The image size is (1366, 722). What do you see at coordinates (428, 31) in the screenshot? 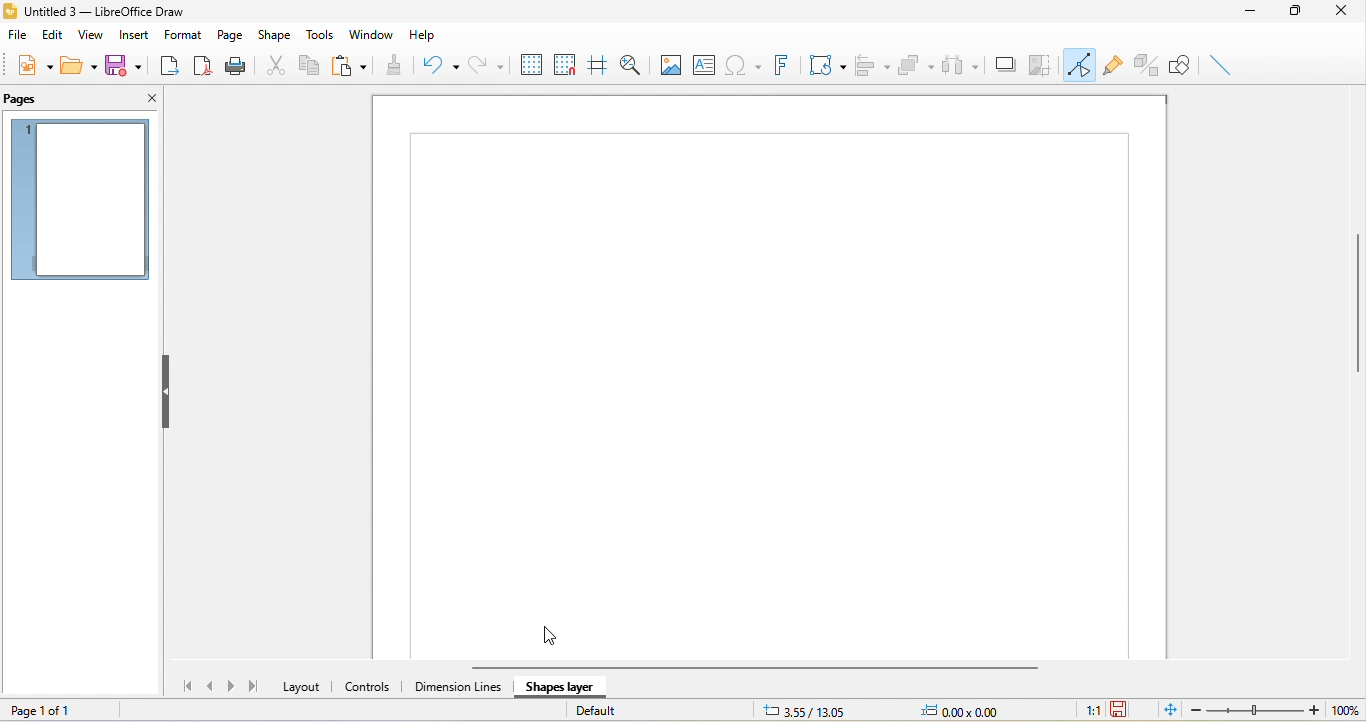
I see `help` at bounding box center [428, 31].